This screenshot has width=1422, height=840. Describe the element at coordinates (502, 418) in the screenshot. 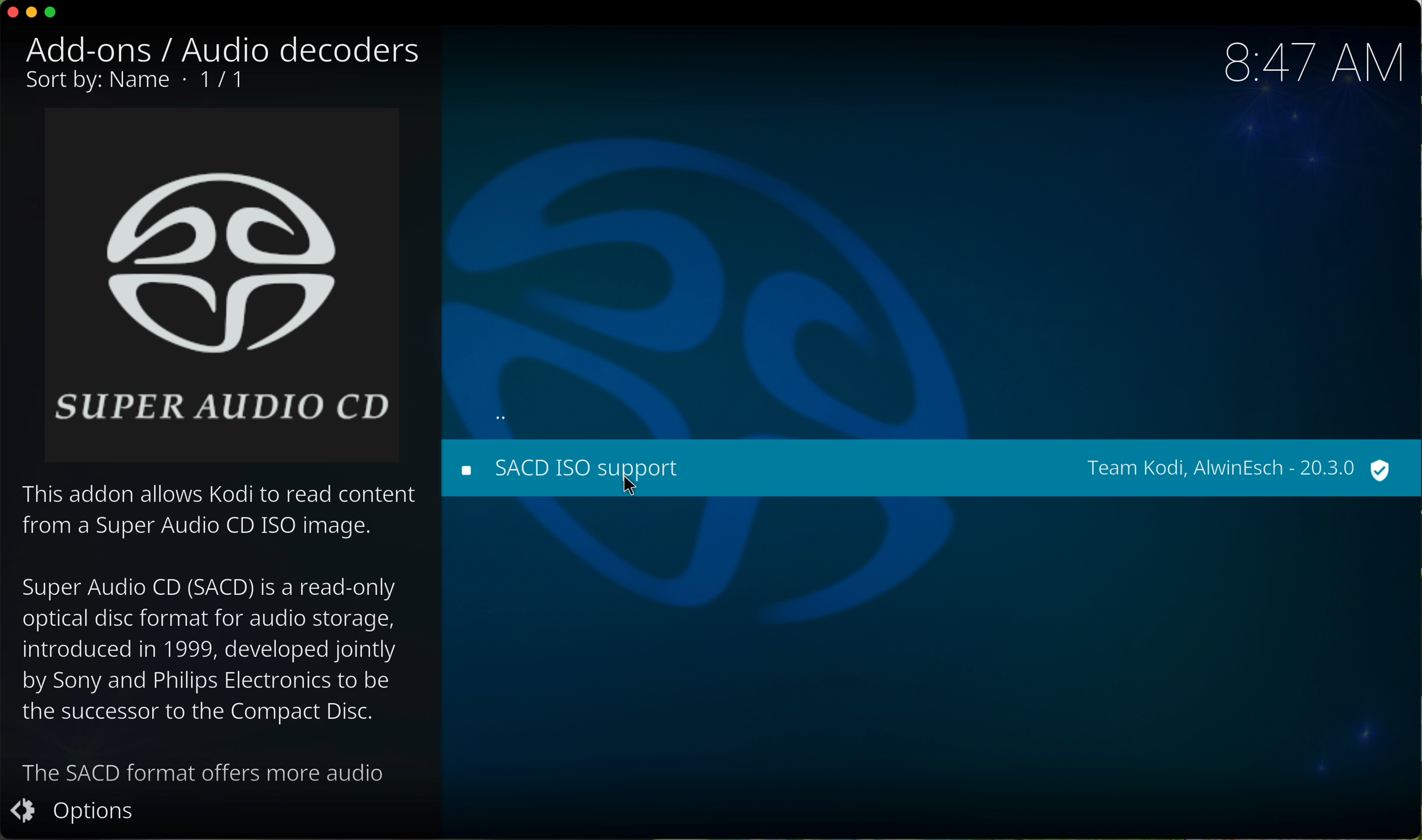

I see `back` at that location.